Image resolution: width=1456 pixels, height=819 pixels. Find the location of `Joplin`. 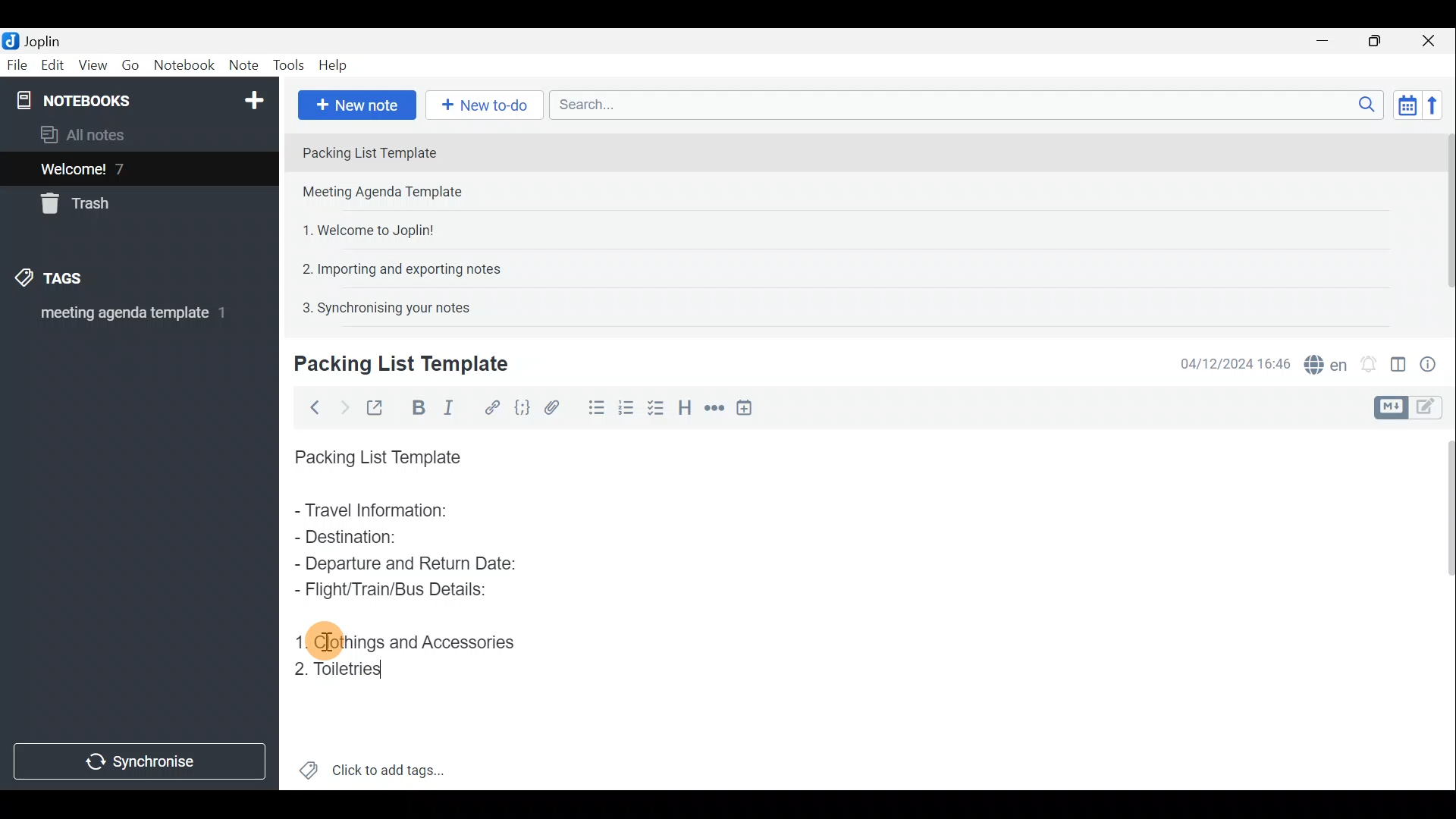

Joplin is located at coordinates (36, 40).